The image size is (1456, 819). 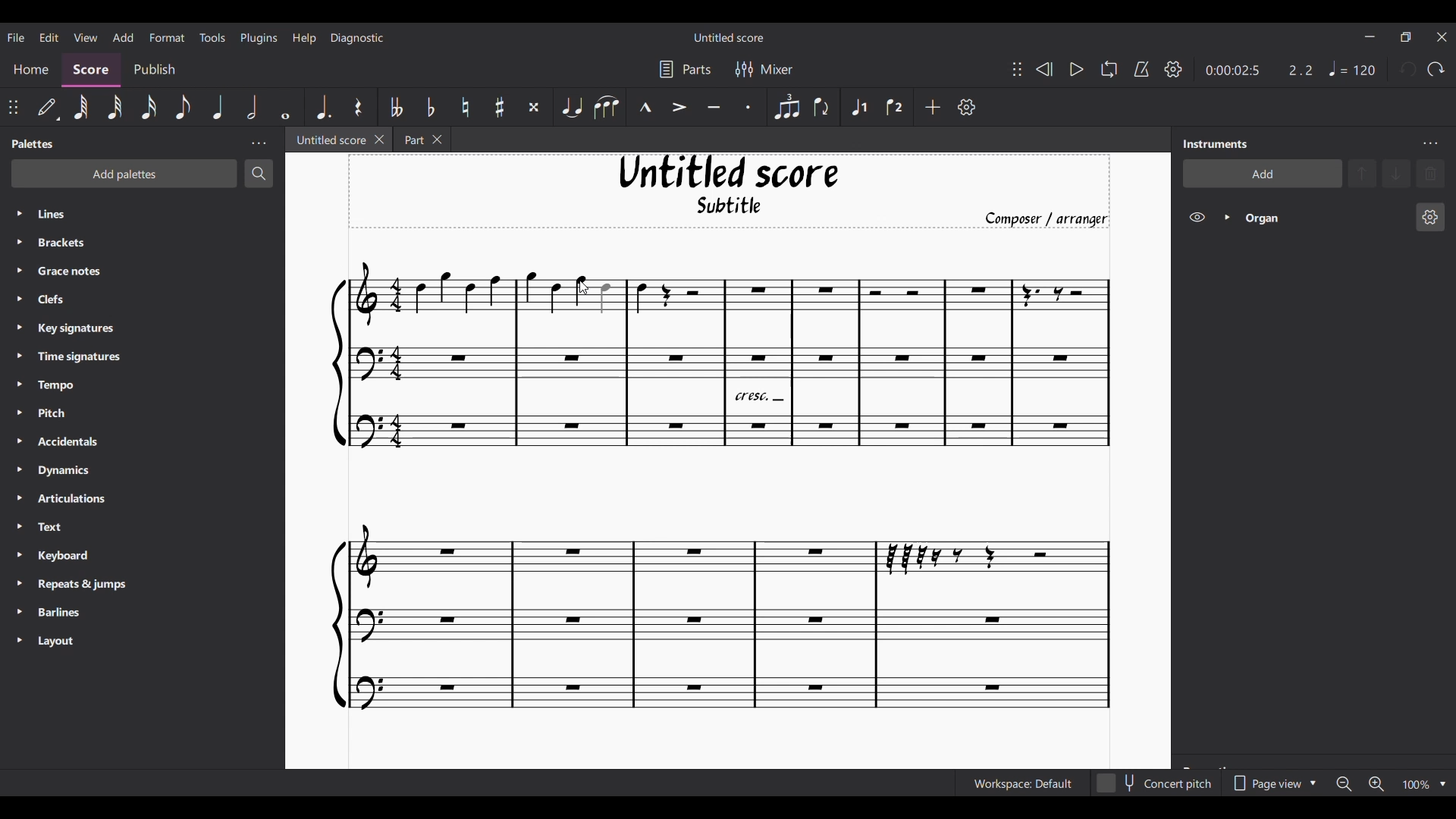 What do you see at coordinates (18, 427) in the screenshot?
I see `Click to expand respective palette` at bounding box center [18, 427].